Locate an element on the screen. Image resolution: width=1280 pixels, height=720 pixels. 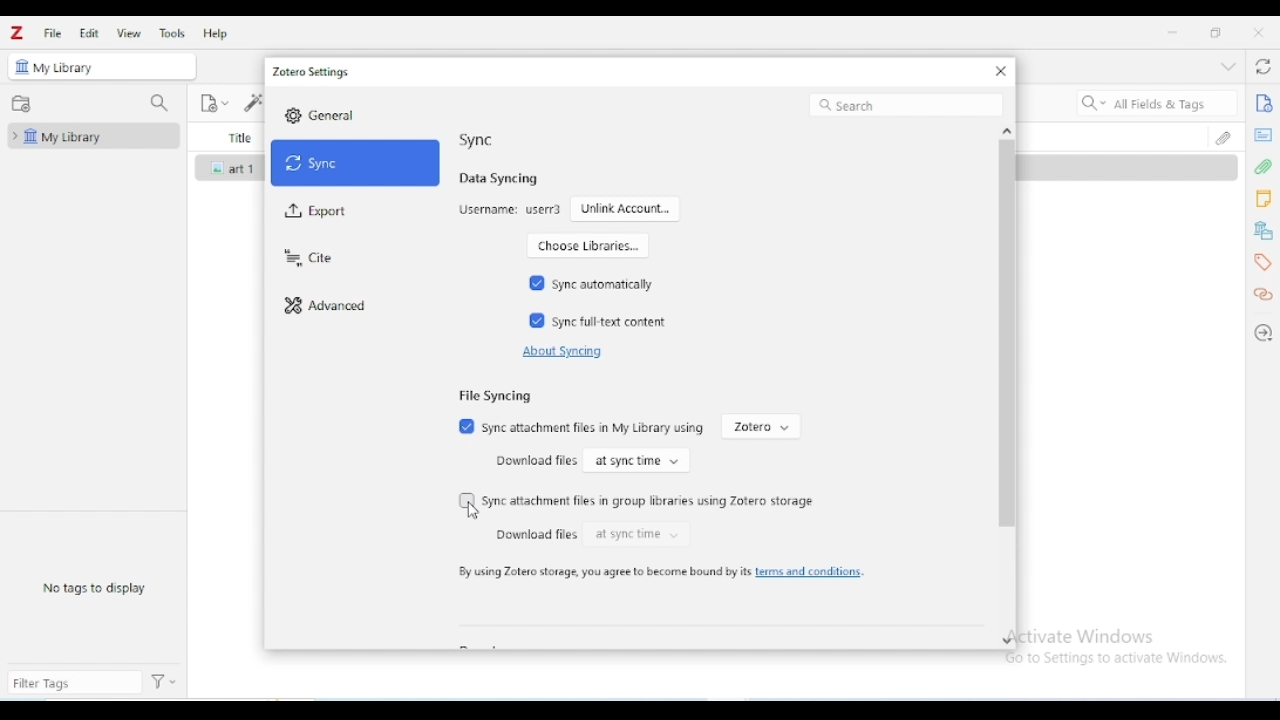
sync is located at coordinates (476, 139).